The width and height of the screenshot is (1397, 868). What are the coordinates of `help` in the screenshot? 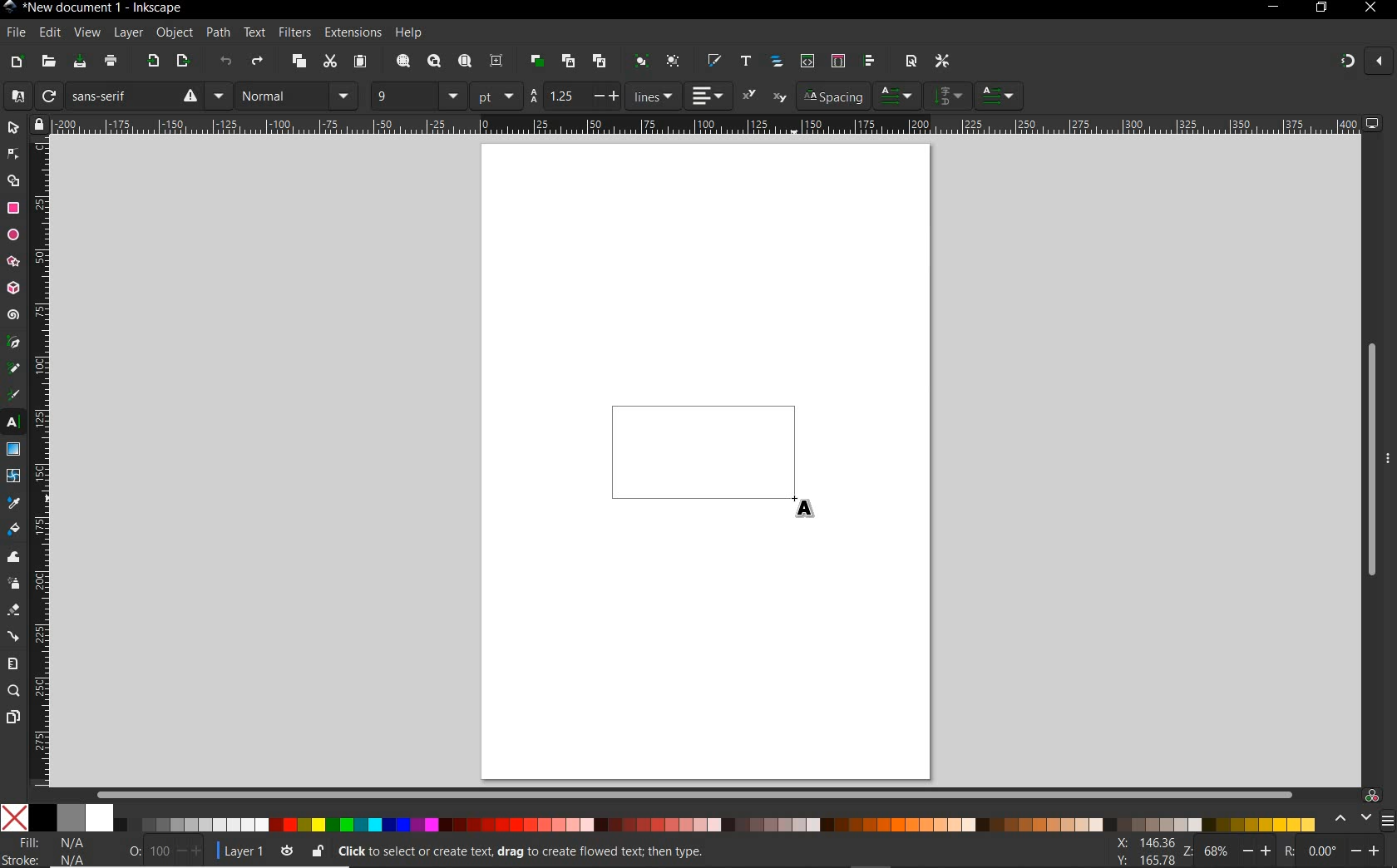 It's located at (410, 33).